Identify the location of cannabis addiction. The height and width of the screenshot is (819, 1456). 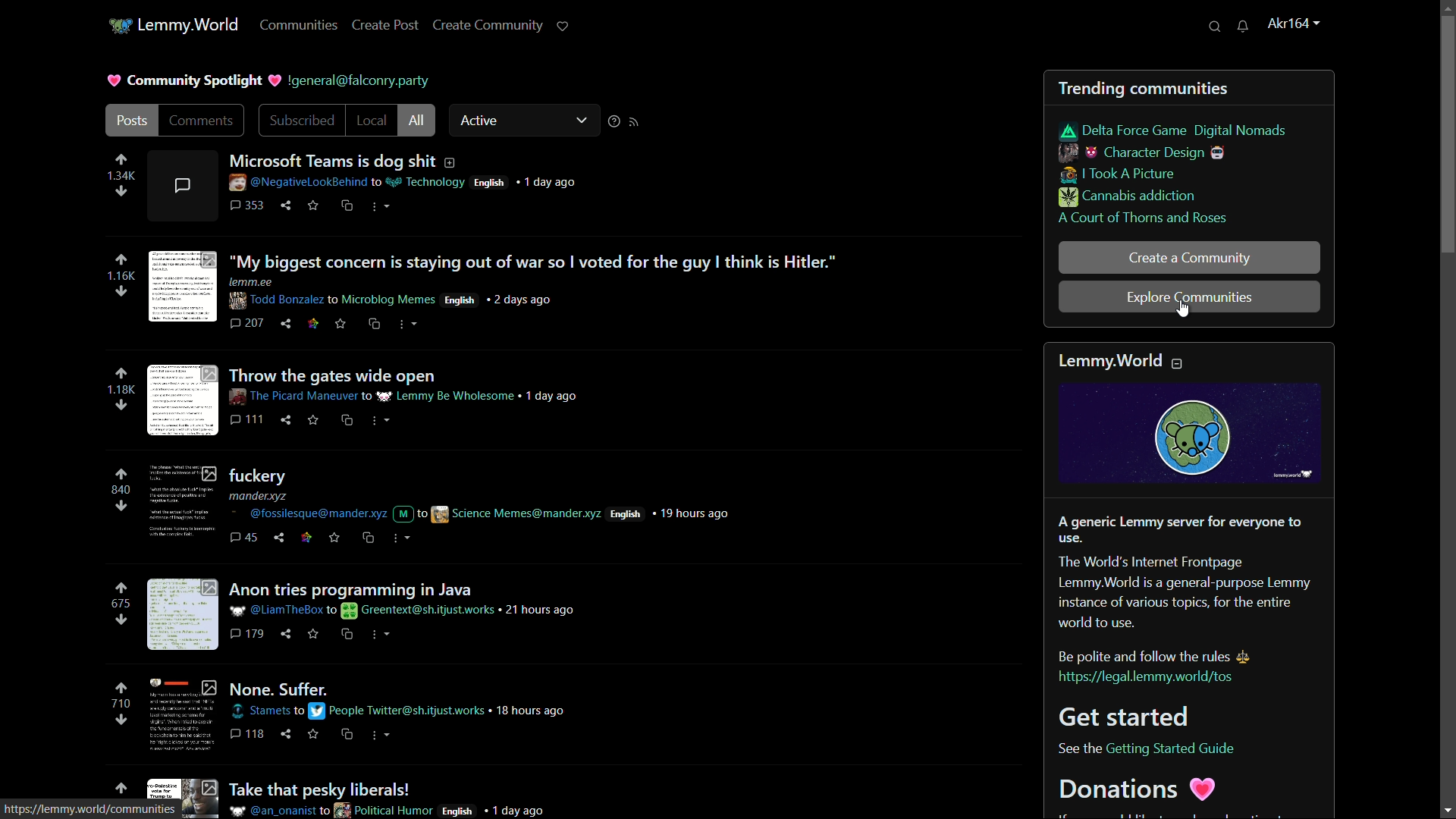
(1127, 196).